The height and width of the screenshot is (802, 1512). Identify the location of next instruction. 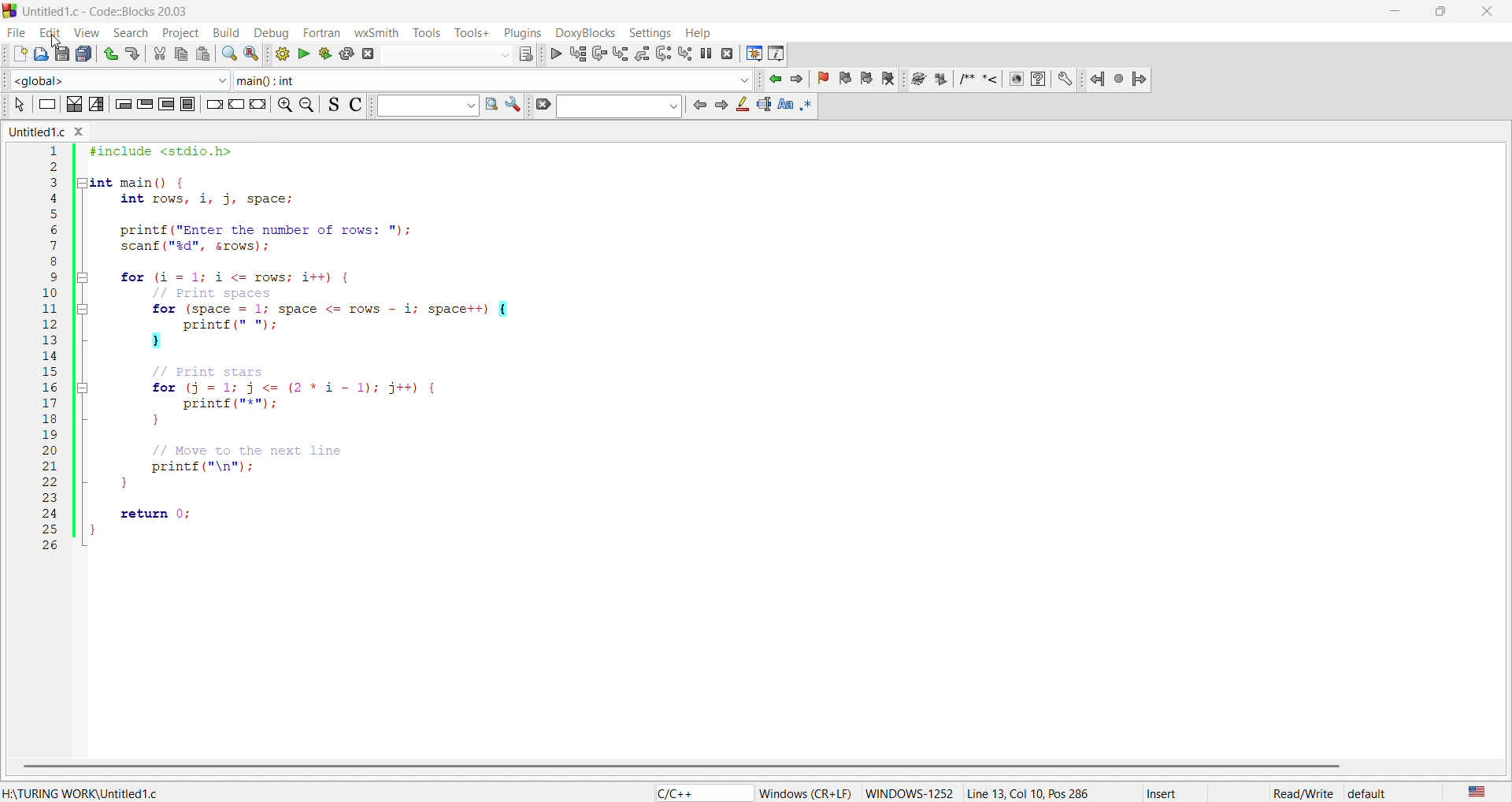
(663, 54).